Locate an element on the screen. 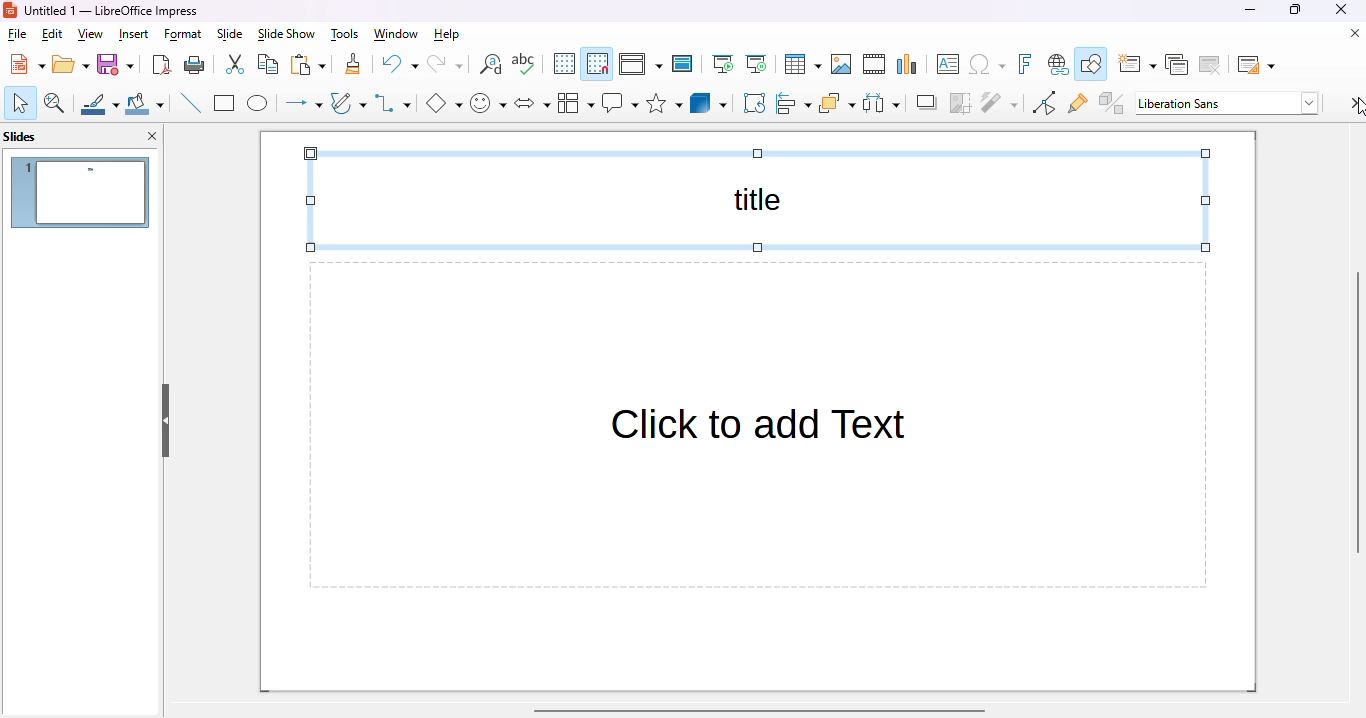 The image size is (1366, 718). master slide is located at coordinates (683, 64).